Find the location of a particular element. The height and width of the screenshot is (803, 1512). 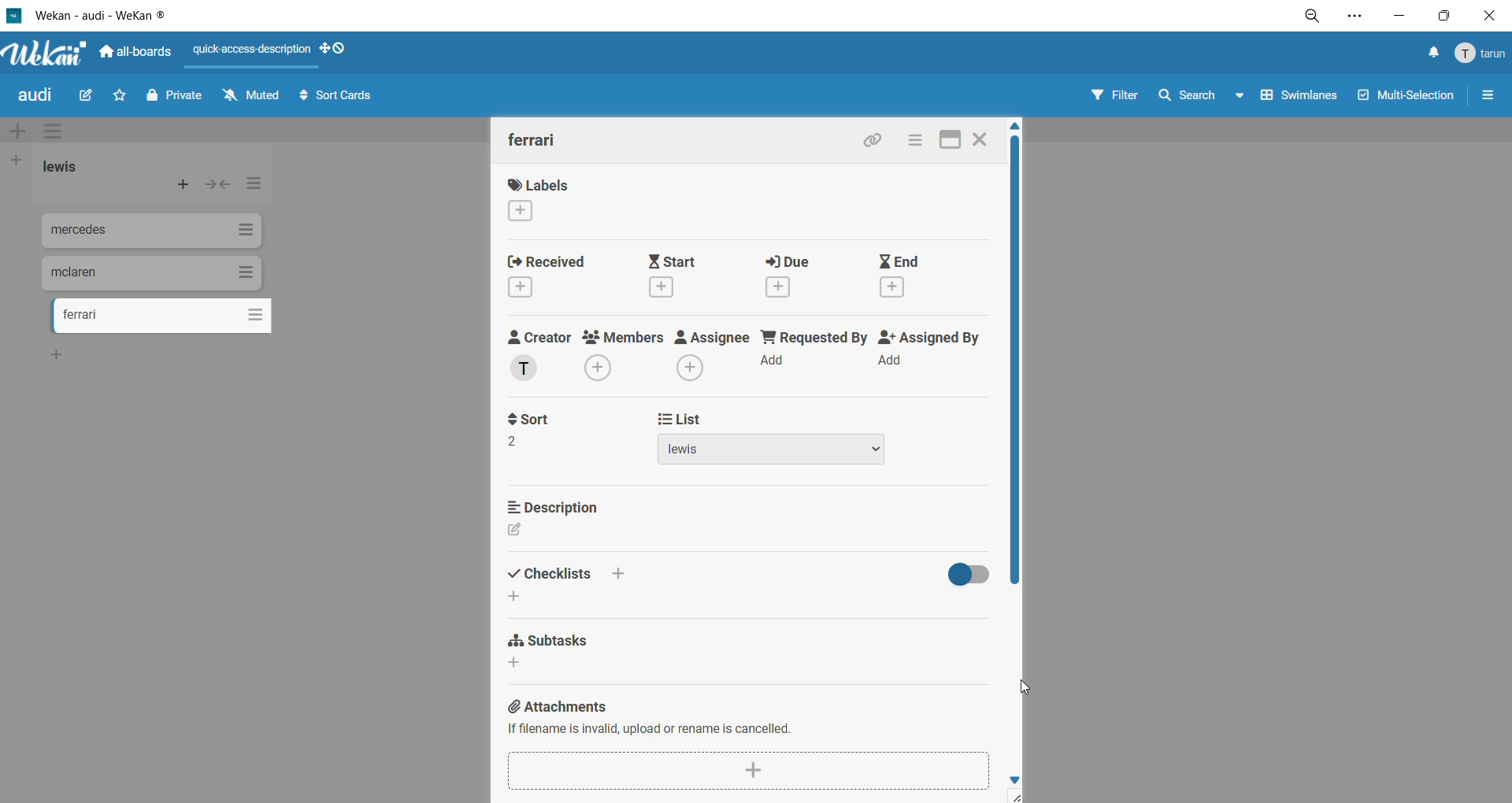

cards is located at coordinates (152, 273).